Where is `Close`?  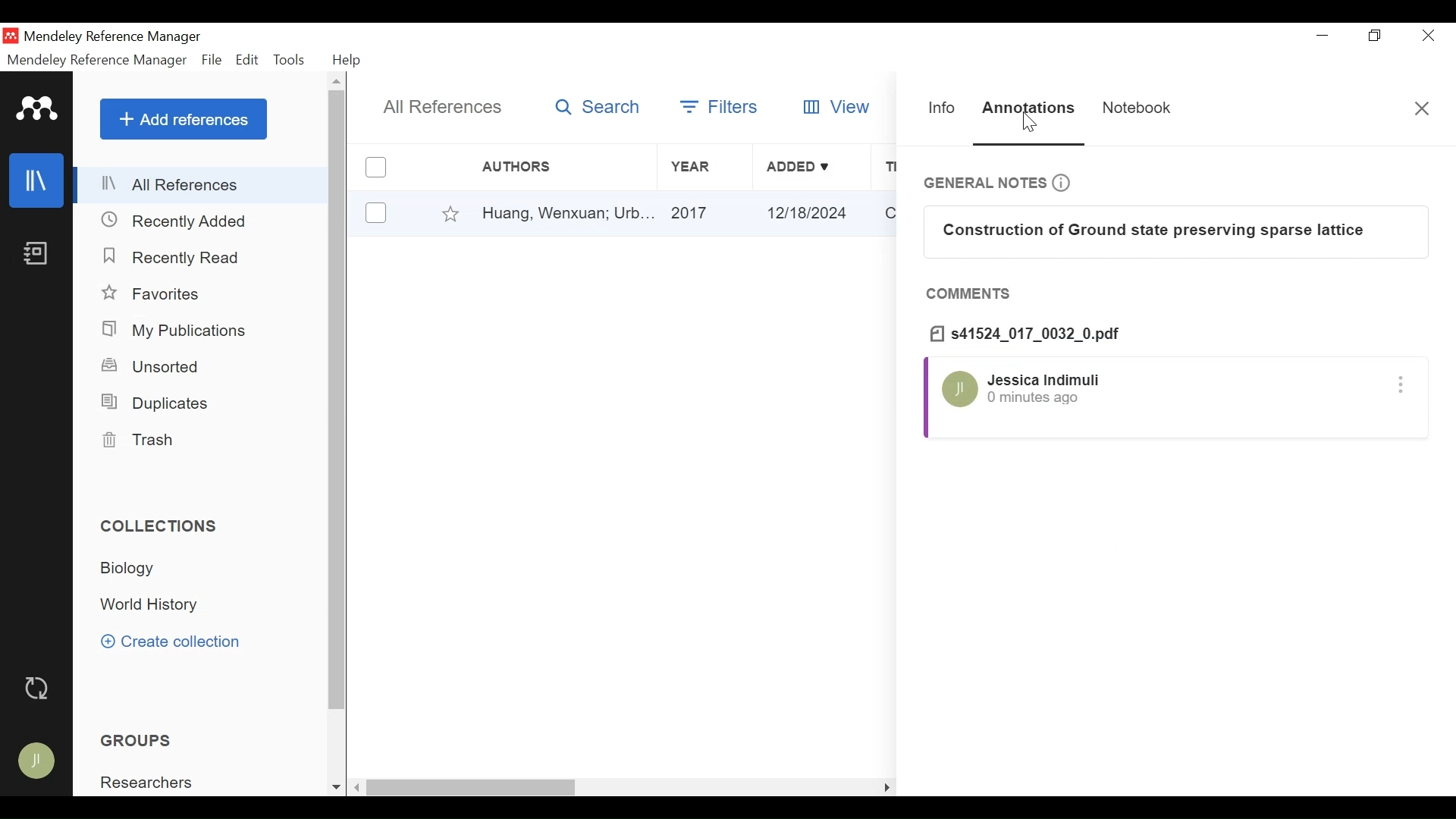
Close is located at coordinates (1429, 37).